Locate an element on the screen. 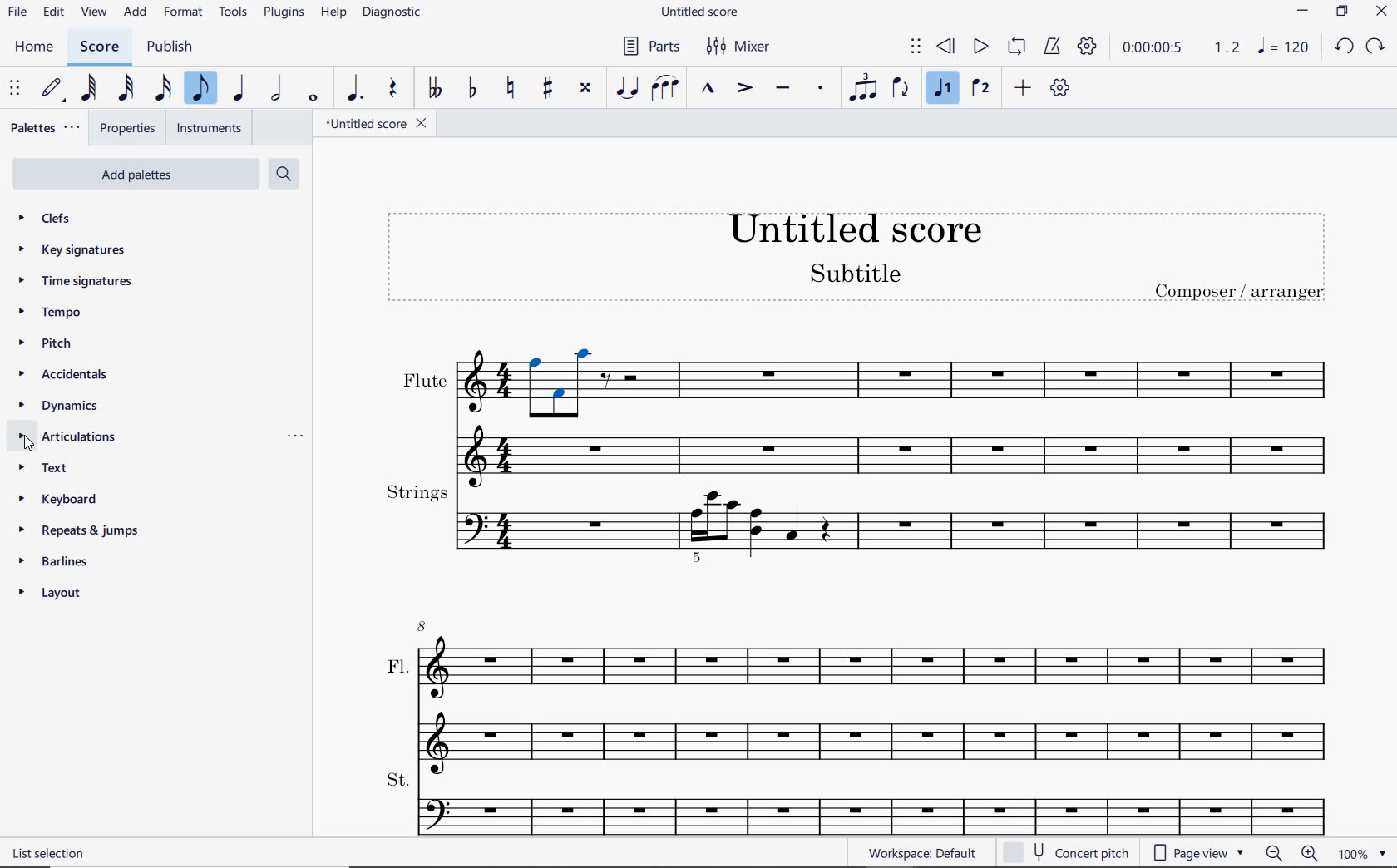 The image size is (1397, 868). PLAYBACK SETTINGS is located at coordinates (1087, 46).